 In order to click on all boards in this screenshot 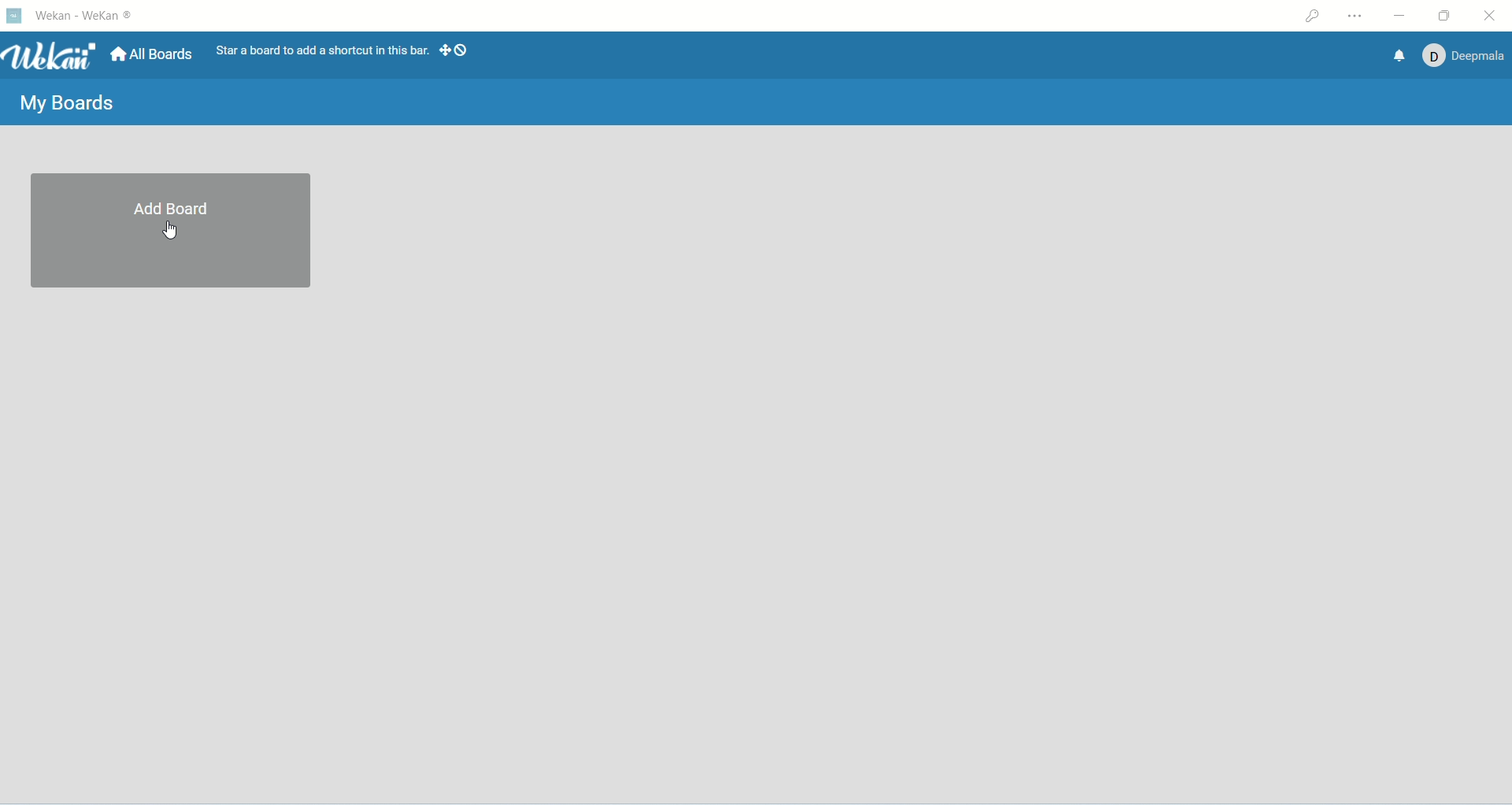, I will do `click(154, 54)`.